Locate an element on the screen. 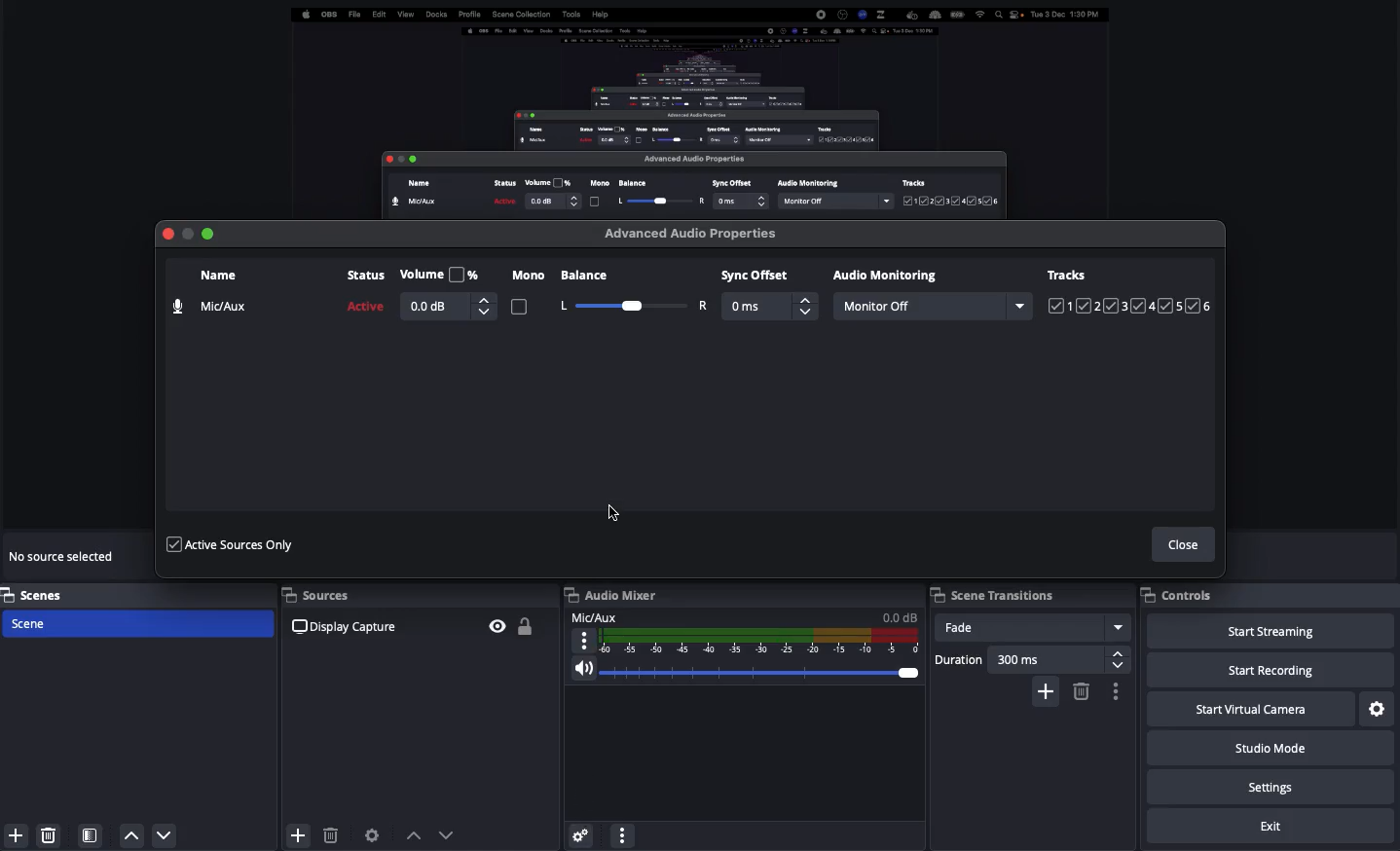  Source preferences is located at coordinates (373, 836).